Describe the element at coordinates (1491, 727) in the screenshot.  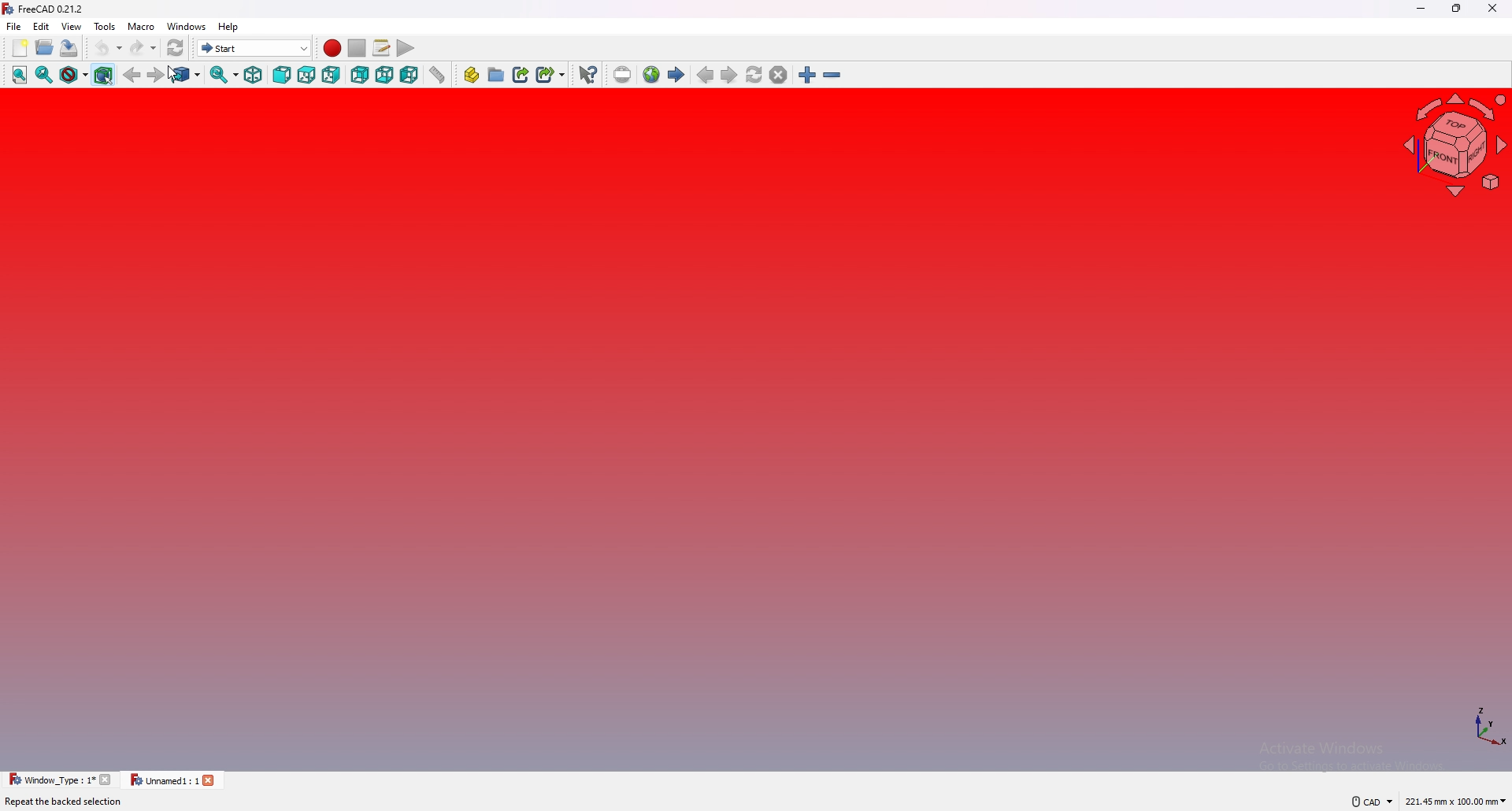
I see `axis` at that location.